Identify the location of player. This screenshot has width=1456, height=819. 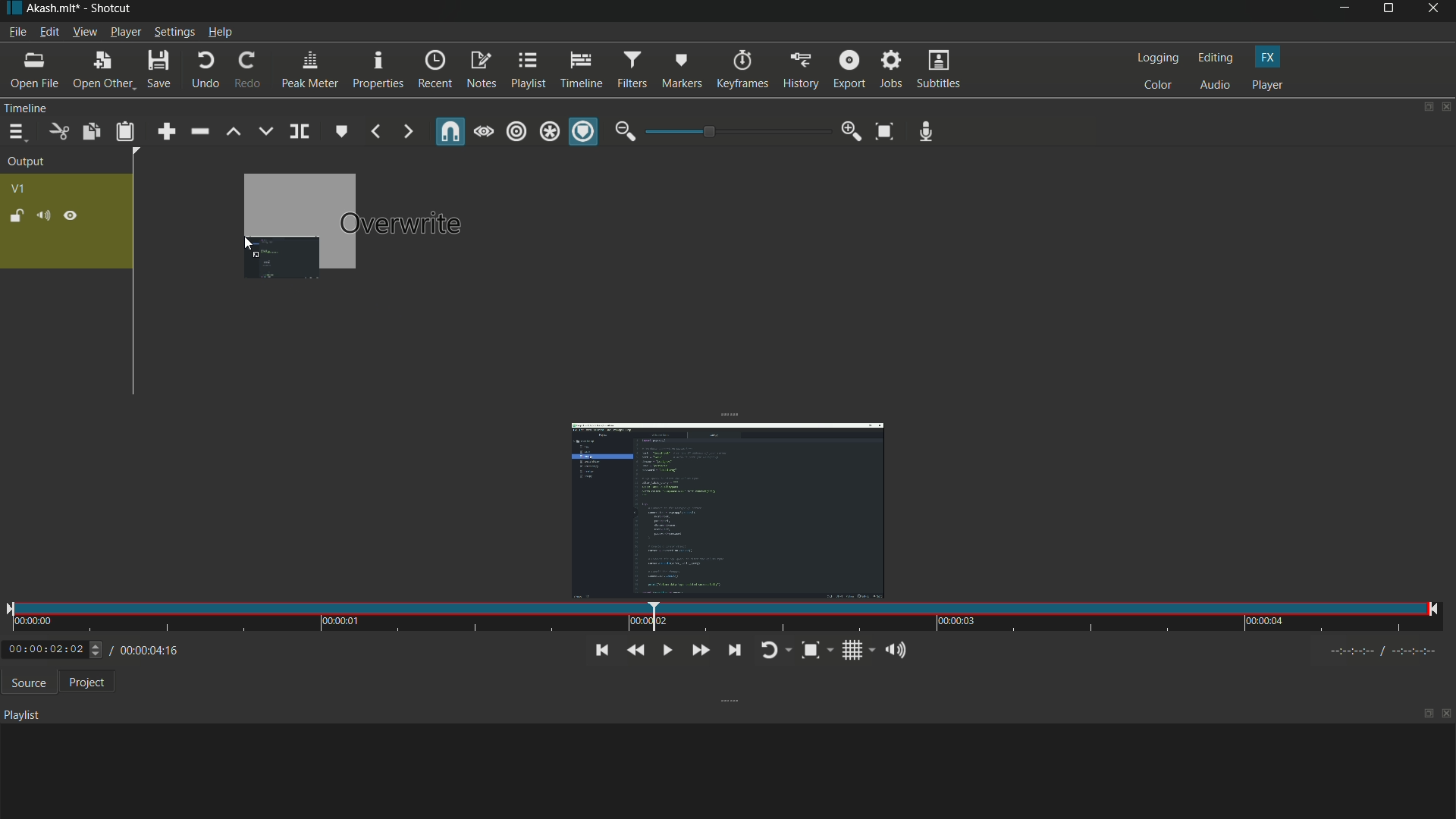
(1268, 85).